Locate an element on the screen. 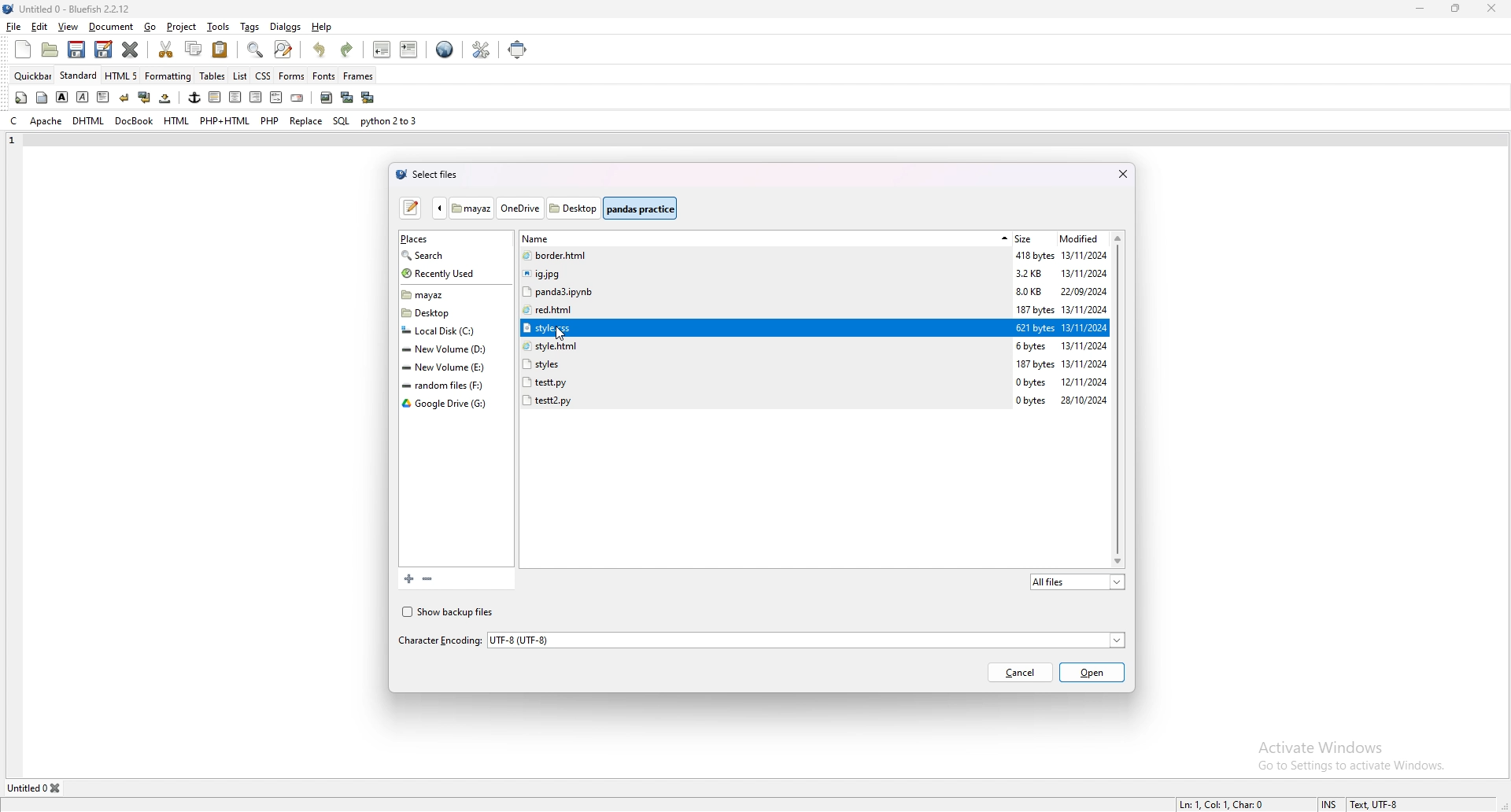  Untitled 0 is located at coordinates (26, 788).